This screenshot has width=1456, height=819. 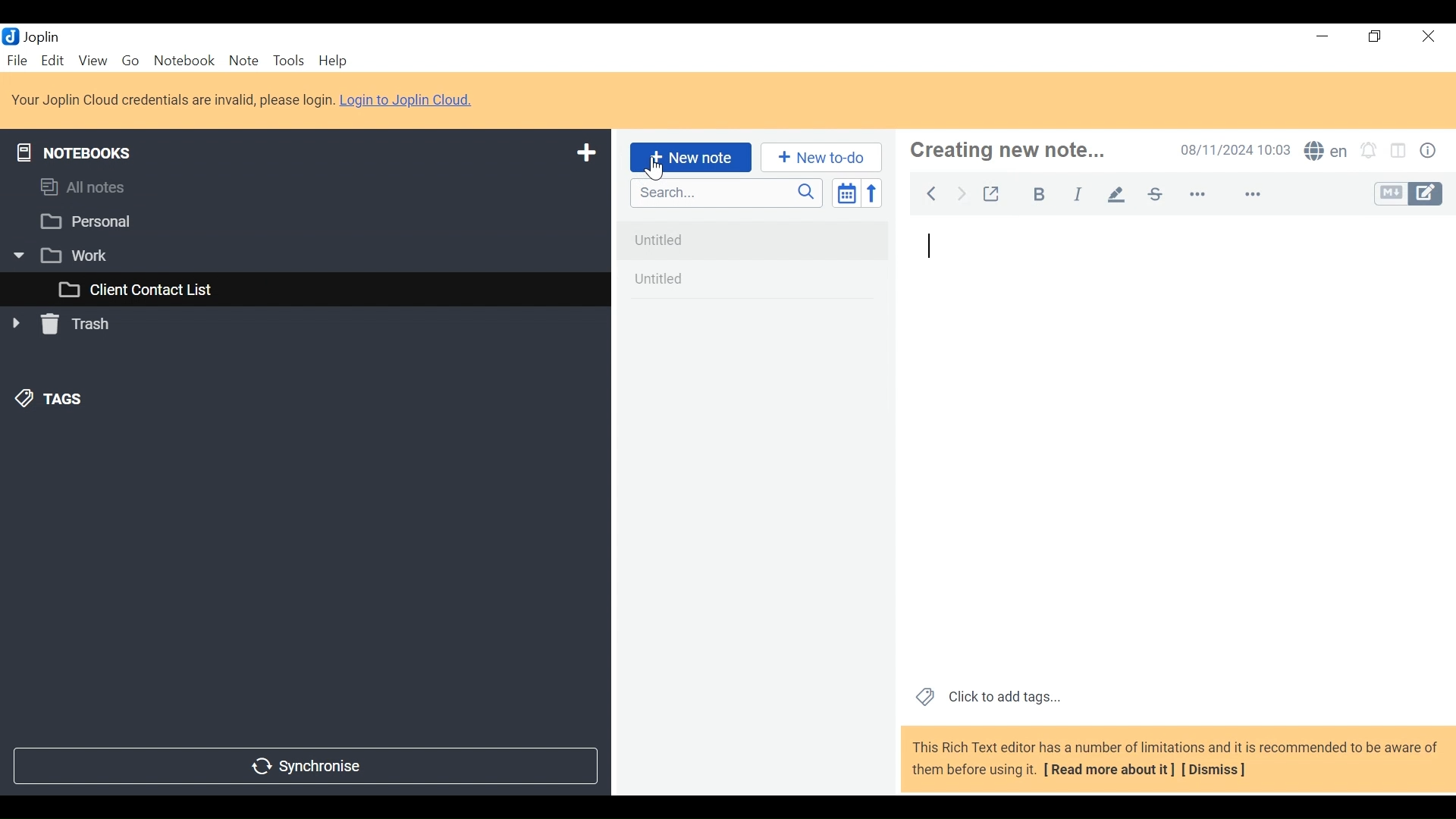 What do you see at coordinates (1040, 194) in the screenshot?
I see `Bold` at bounding box center [1040, 194].